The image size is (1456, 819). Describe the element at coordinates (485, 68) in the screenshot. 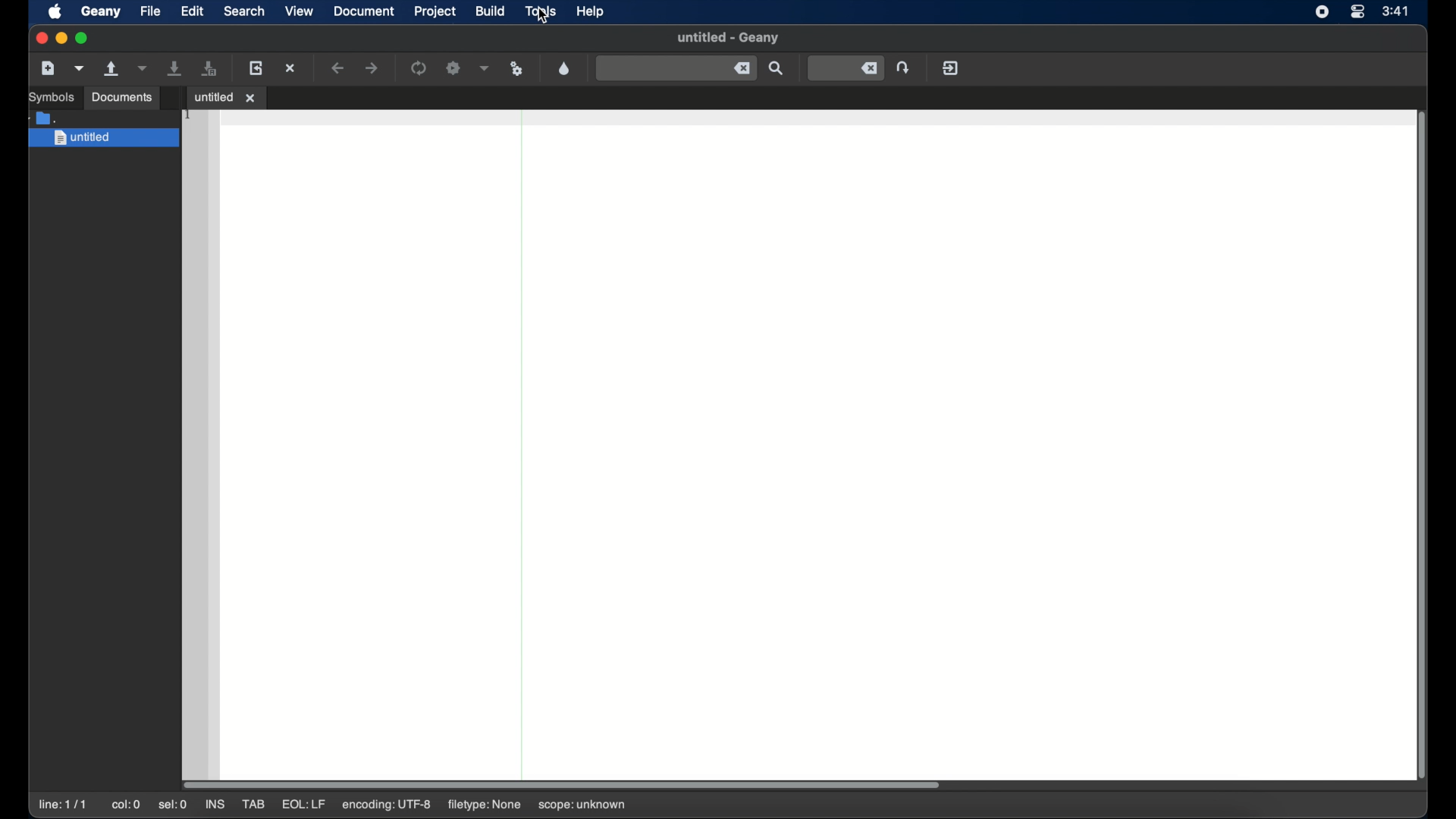

I see `choose more build actions` at that location.